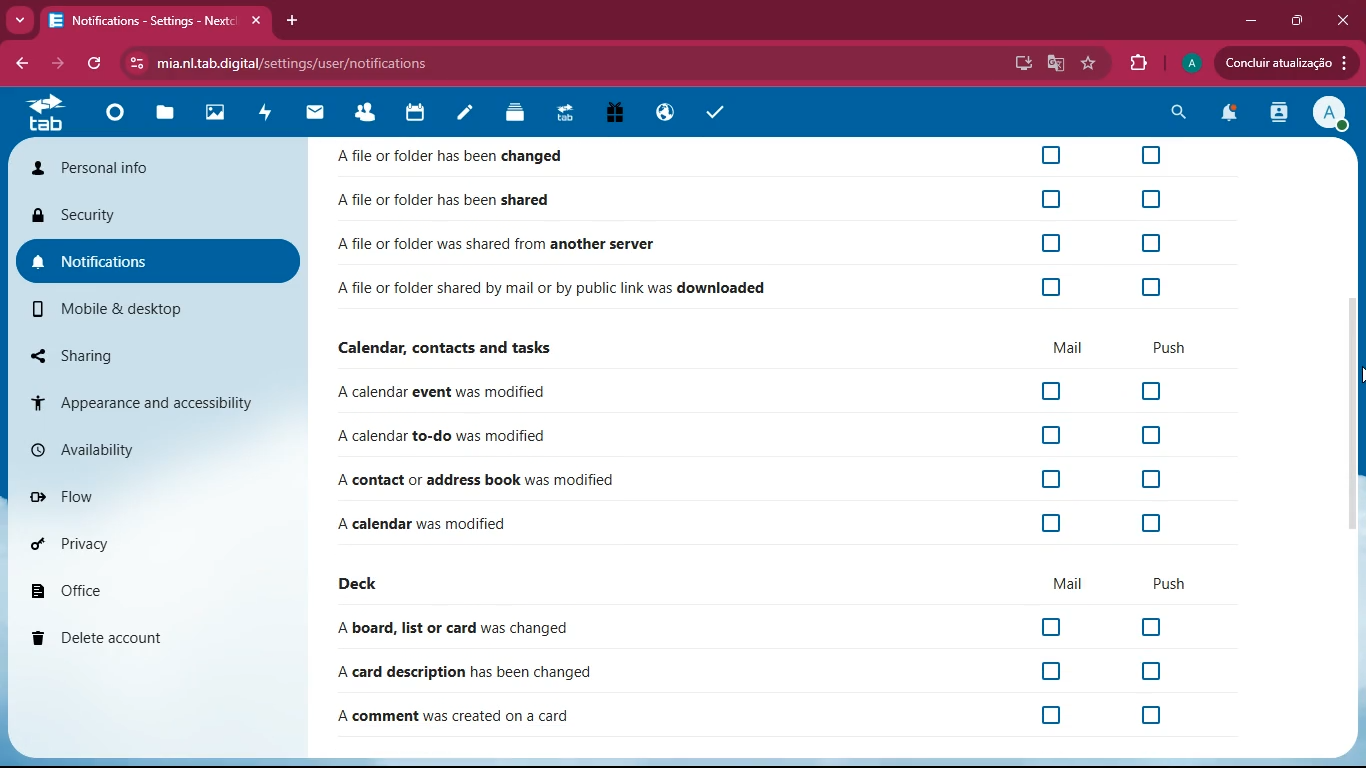  Describe the element at coordinates (20, 19) in the screenshot. I see `more` at that location.